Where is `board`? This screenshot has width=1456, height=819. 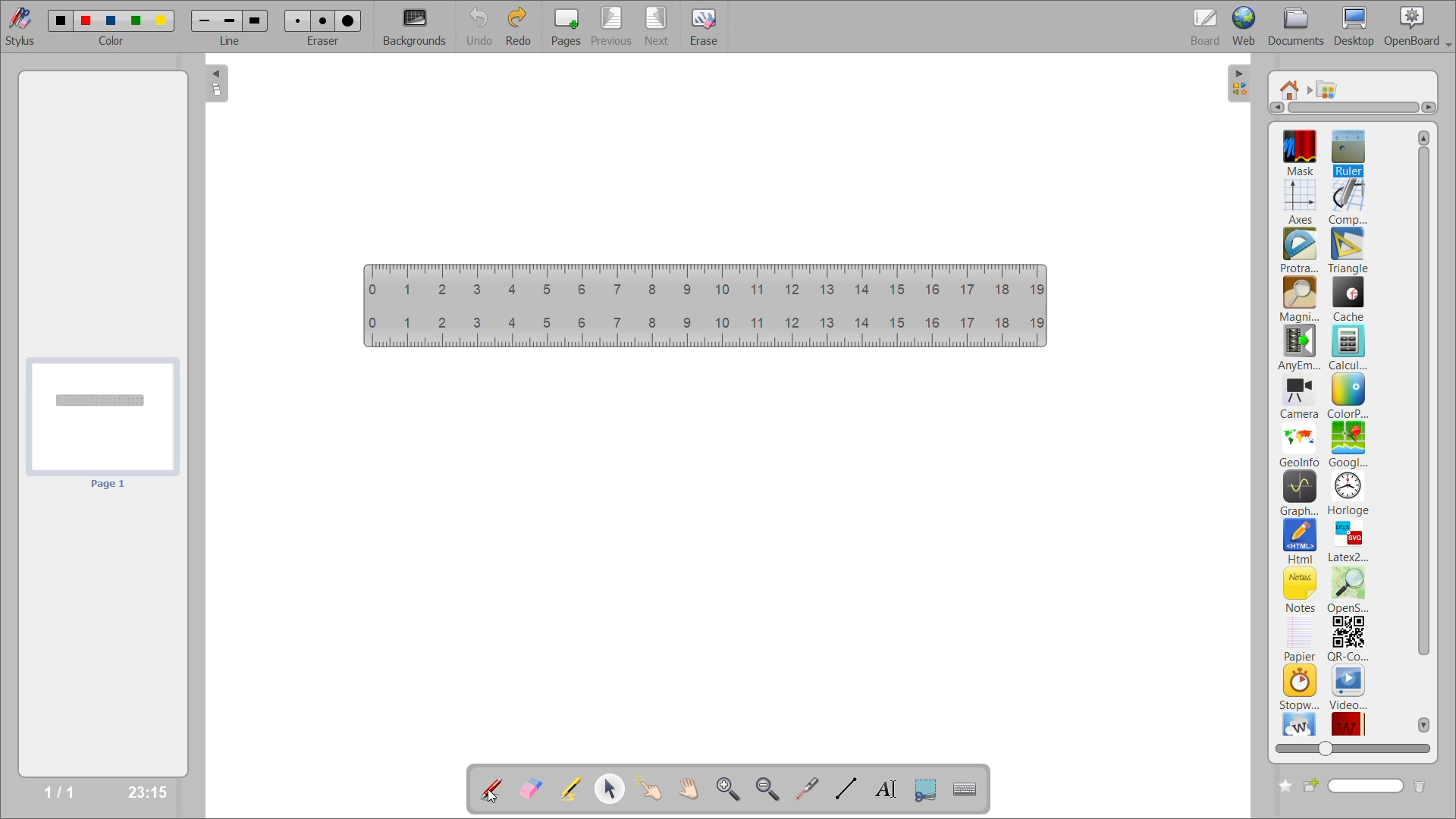 board is located at coordinates (1208, 26).